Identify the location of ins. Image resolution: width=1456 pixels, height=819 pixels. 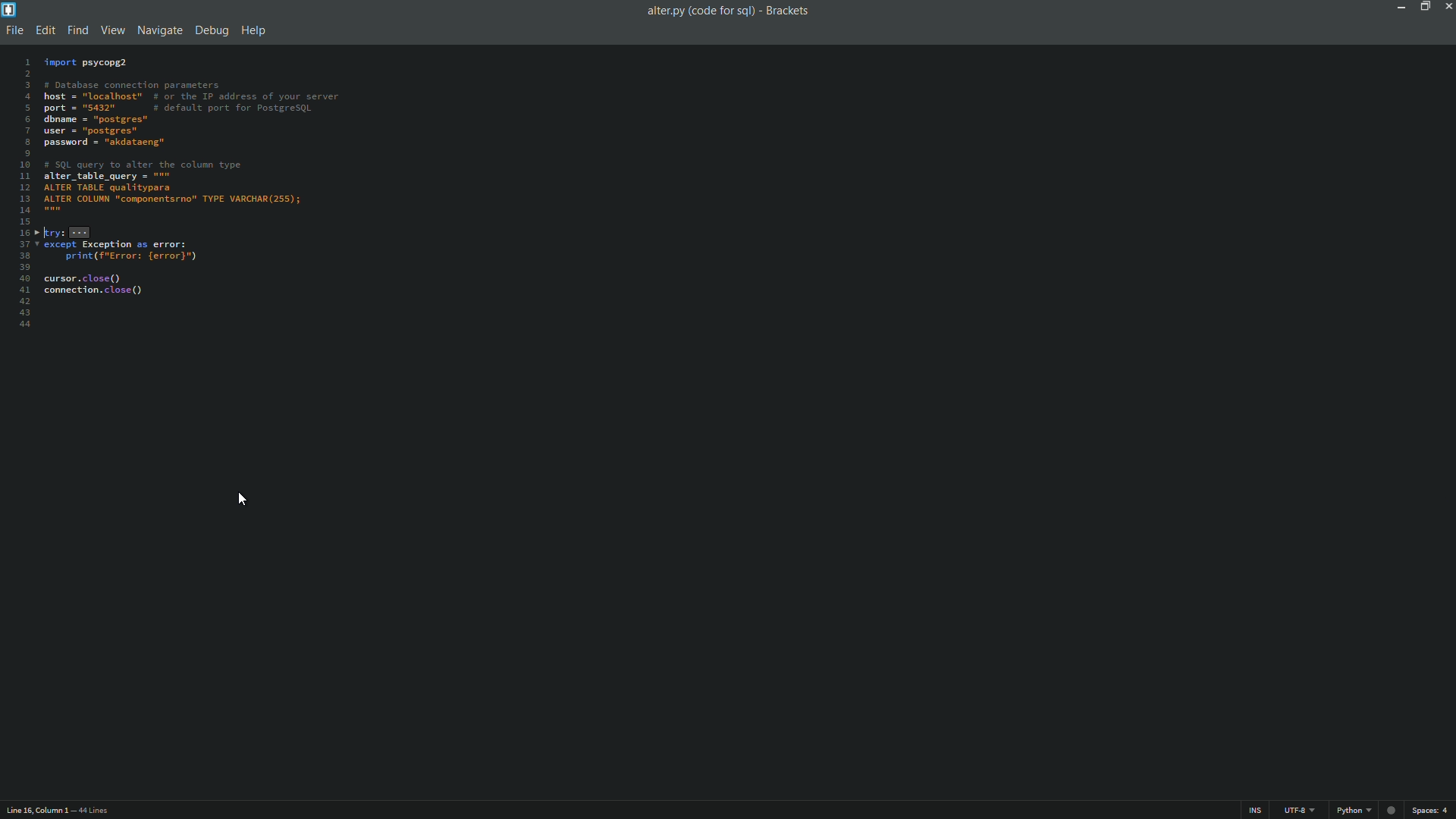
(1254, 812).